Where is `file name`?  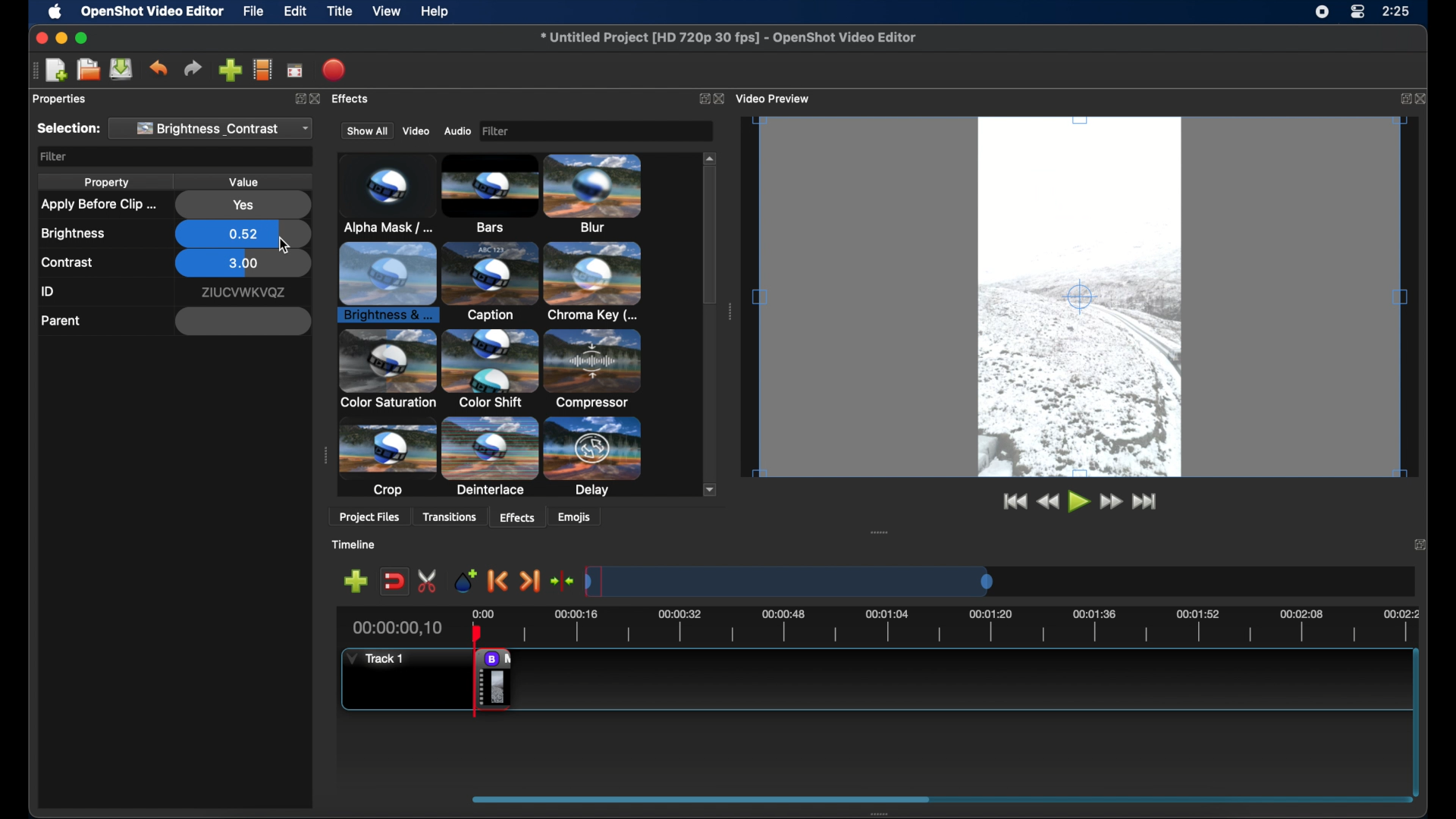
file name is located at coordinates (728, 38).